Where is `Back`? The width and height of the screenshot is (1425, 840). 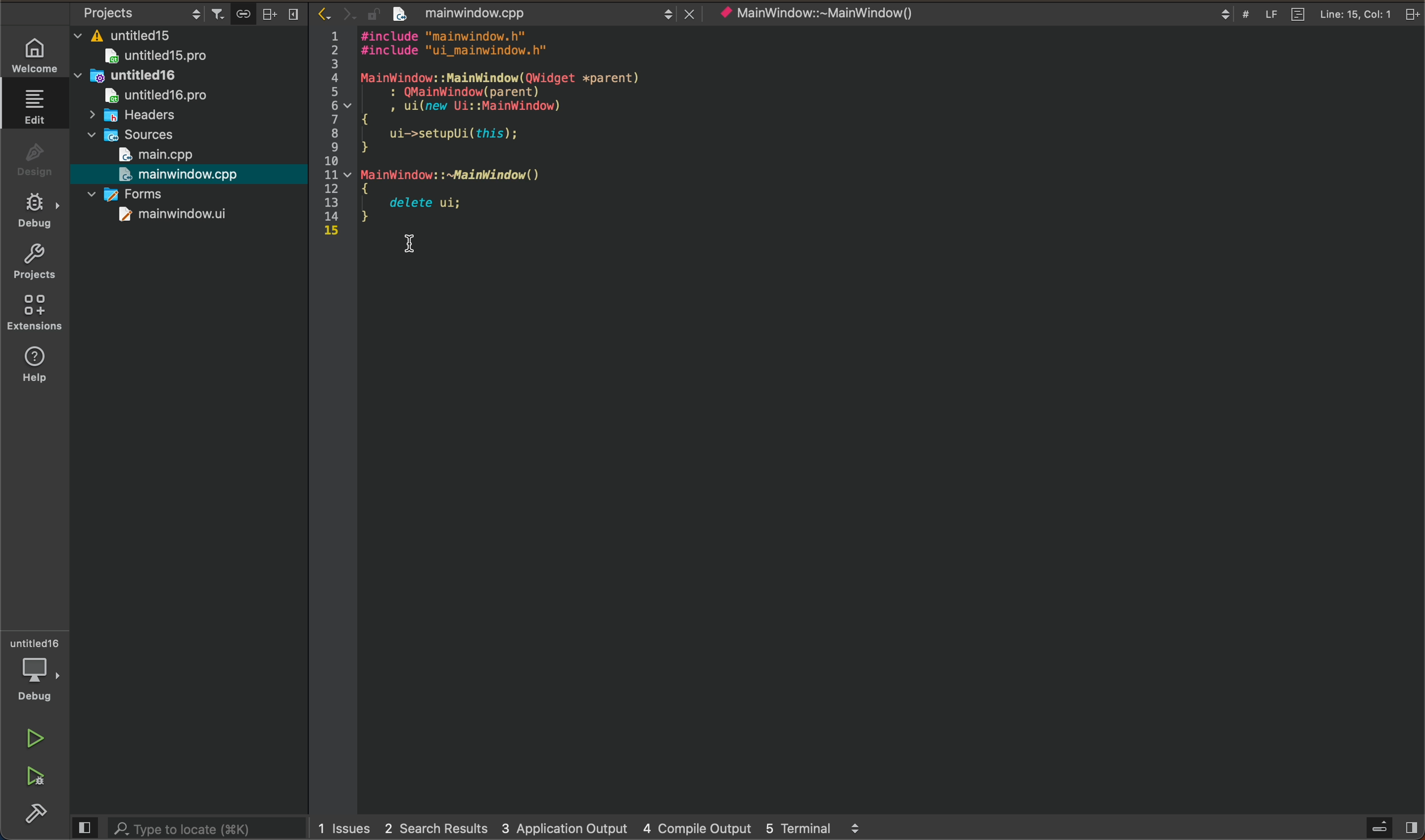 Back is located at coordinates (323, 12).